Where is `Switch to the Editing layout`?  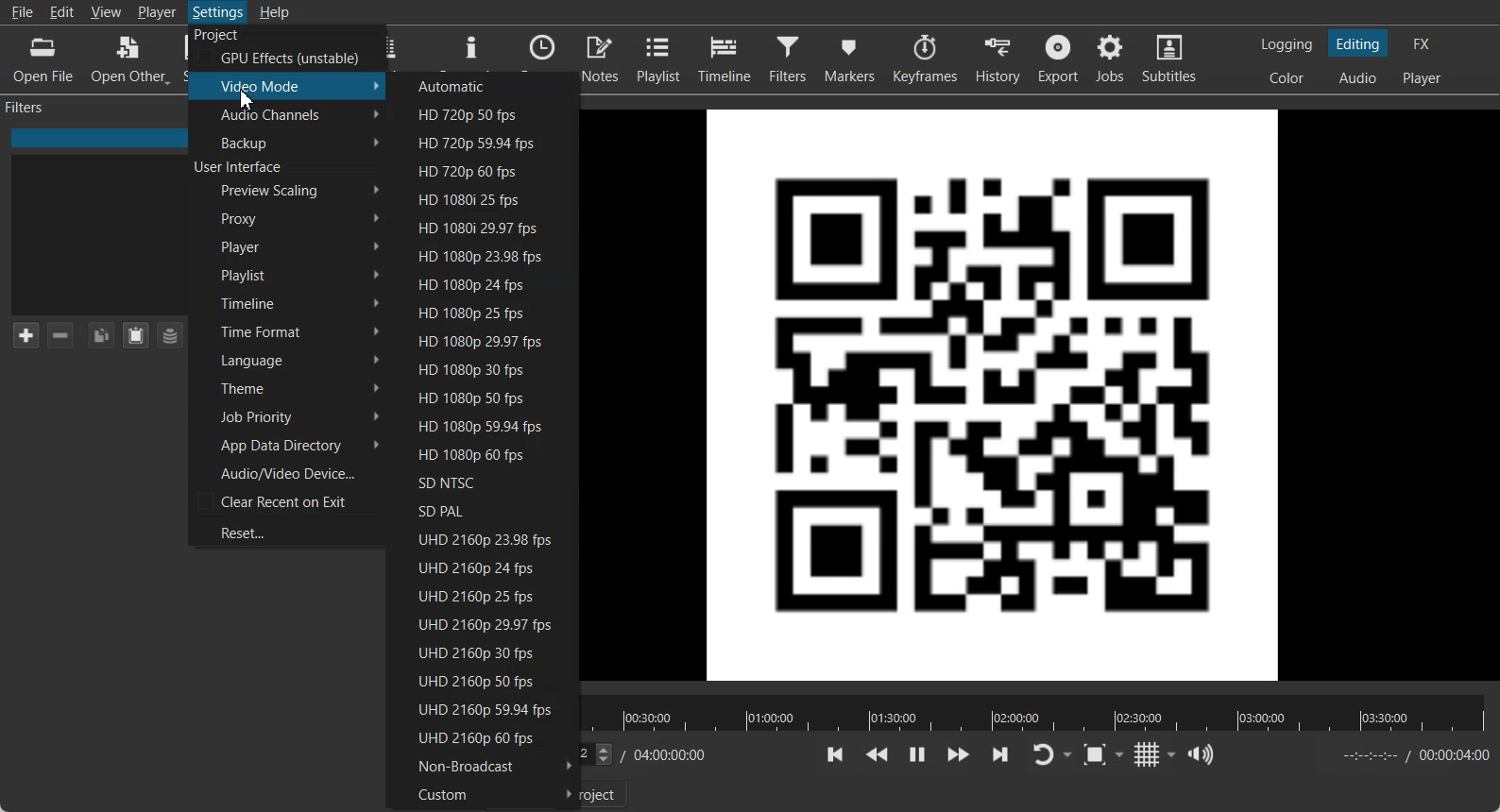
Switch to the Editing layout is located at coordinates (1359, 43).